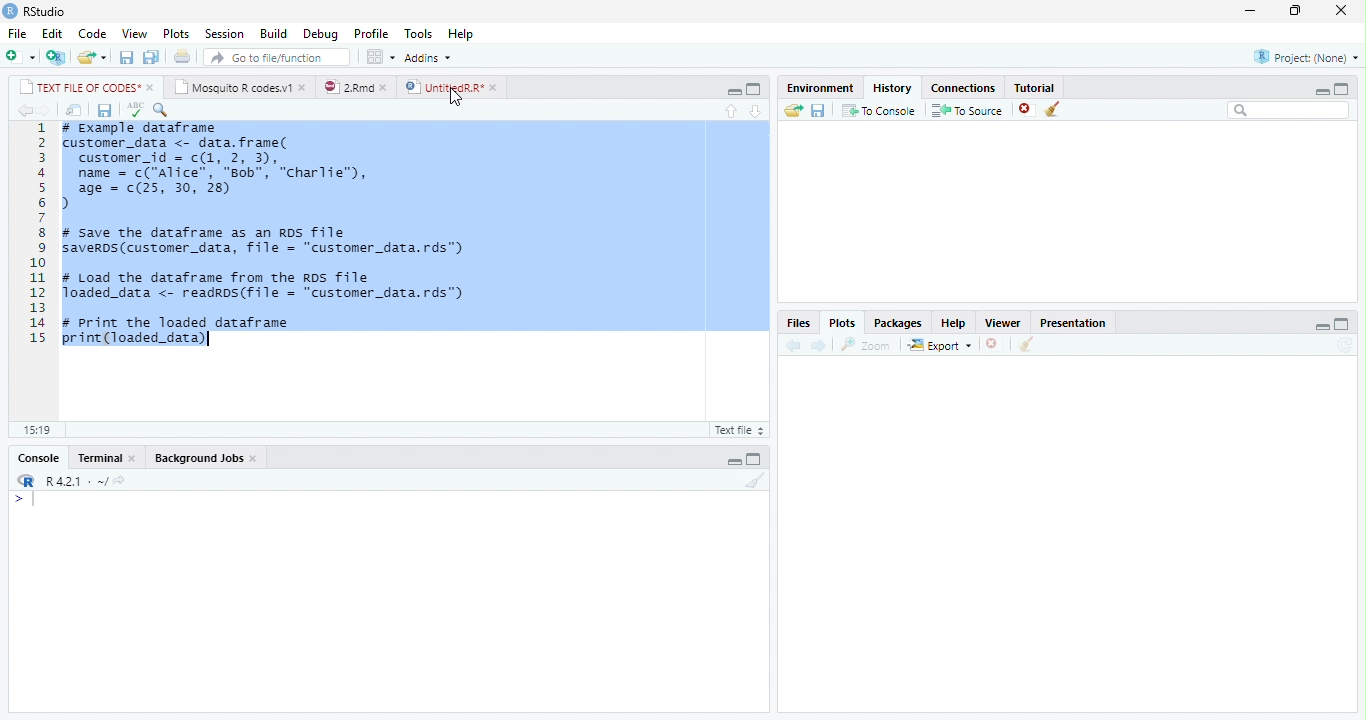  What do you see at coordinates (1342, 89) in the screenshot?
I see `maximize` at bounding box center [1342, 89].